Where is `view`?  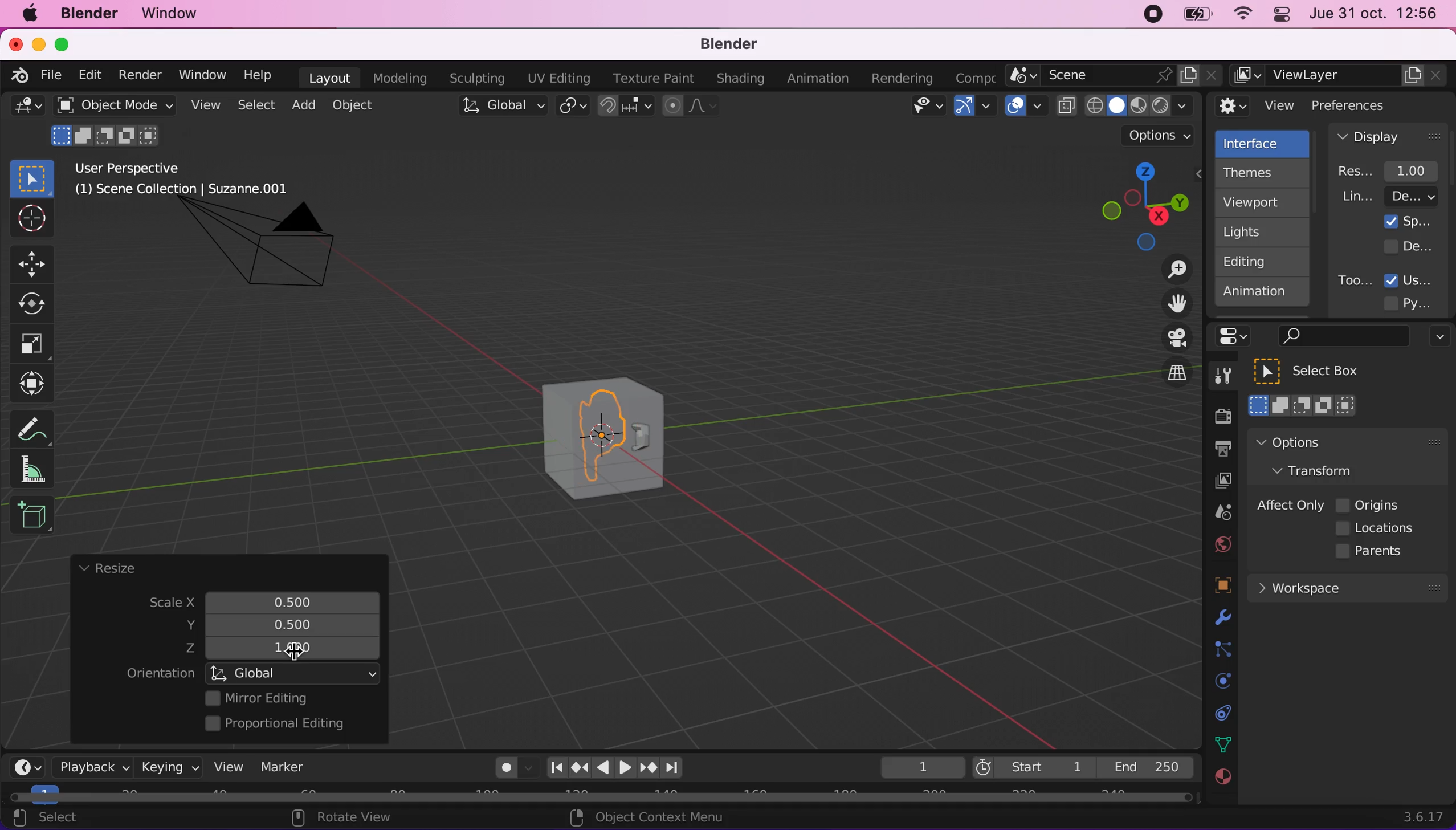
view is located at coordinates (203, 105).